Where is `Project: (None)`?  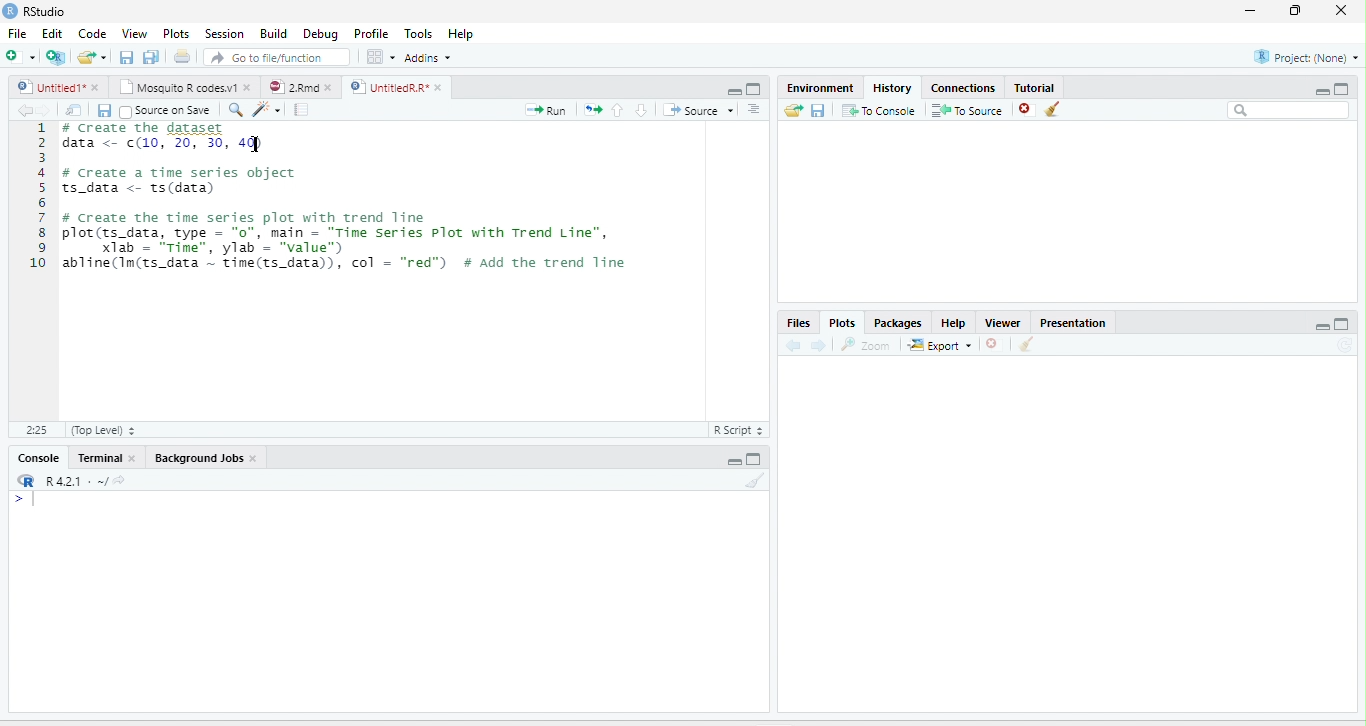 Project: (None) is located at coordinates (1304, 57).